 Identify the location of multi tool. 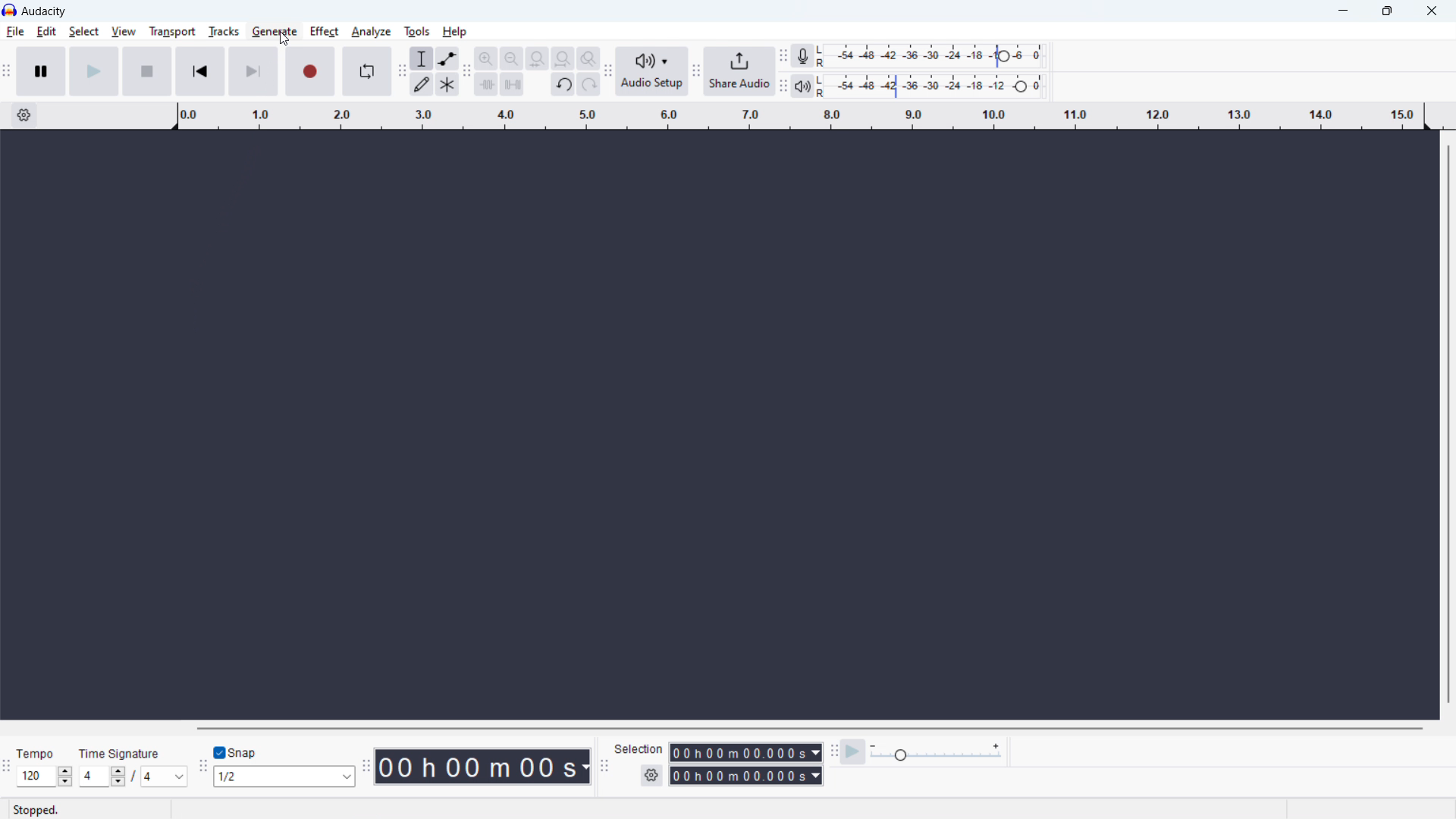
(447, 83).